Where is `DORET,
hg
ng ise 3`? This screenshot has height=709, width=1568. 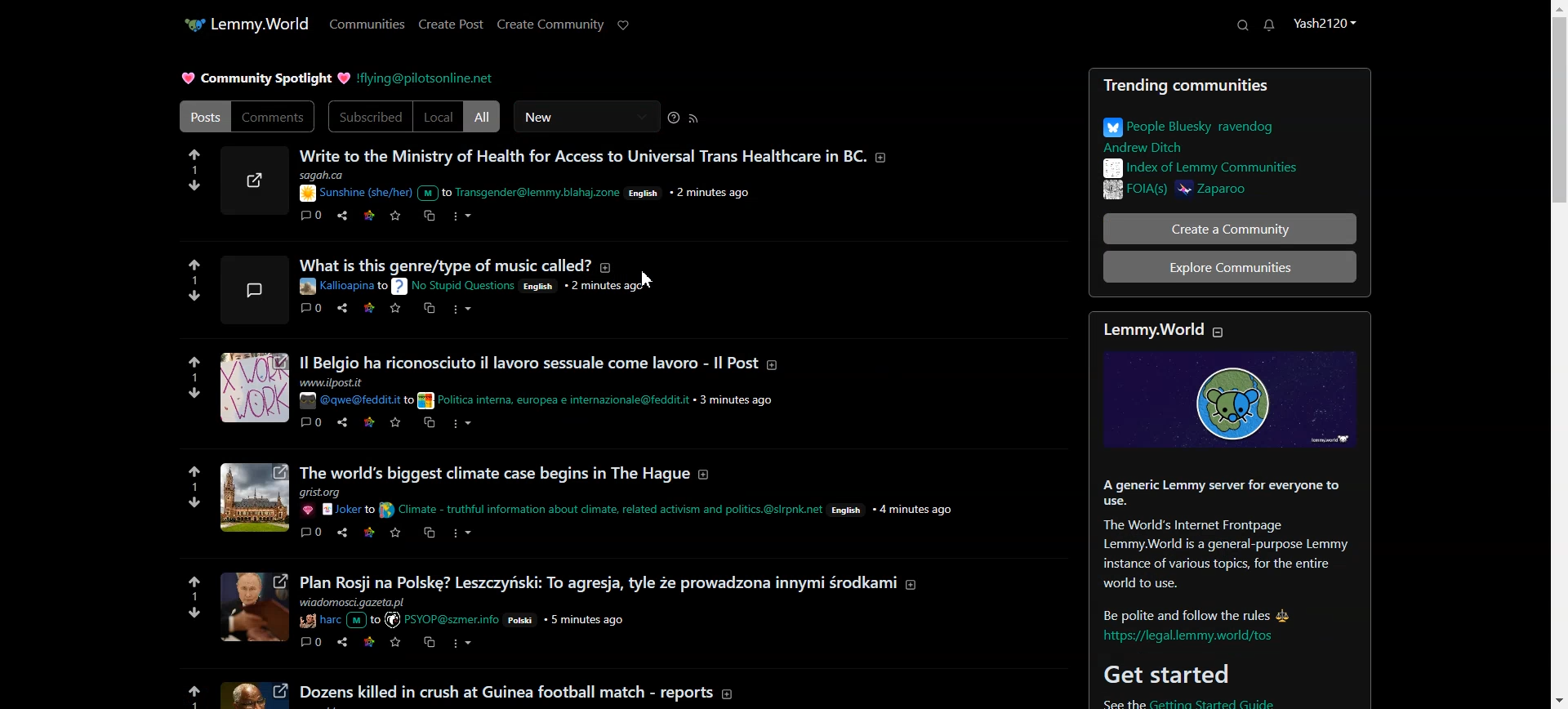 DORET,
hg
ng ise 3 is located at coordinates (256, 289).